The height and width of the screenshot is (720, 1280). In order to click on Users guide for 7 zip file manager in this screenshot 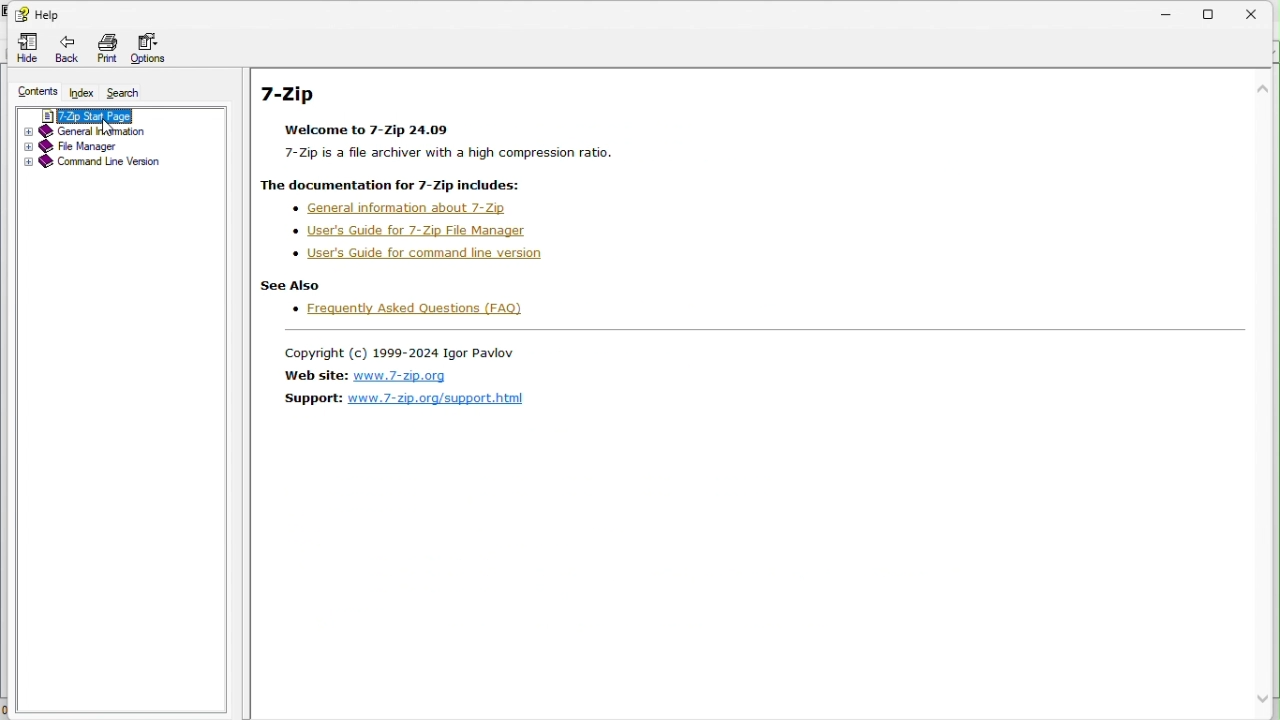, I will do `click(406, 232)`.